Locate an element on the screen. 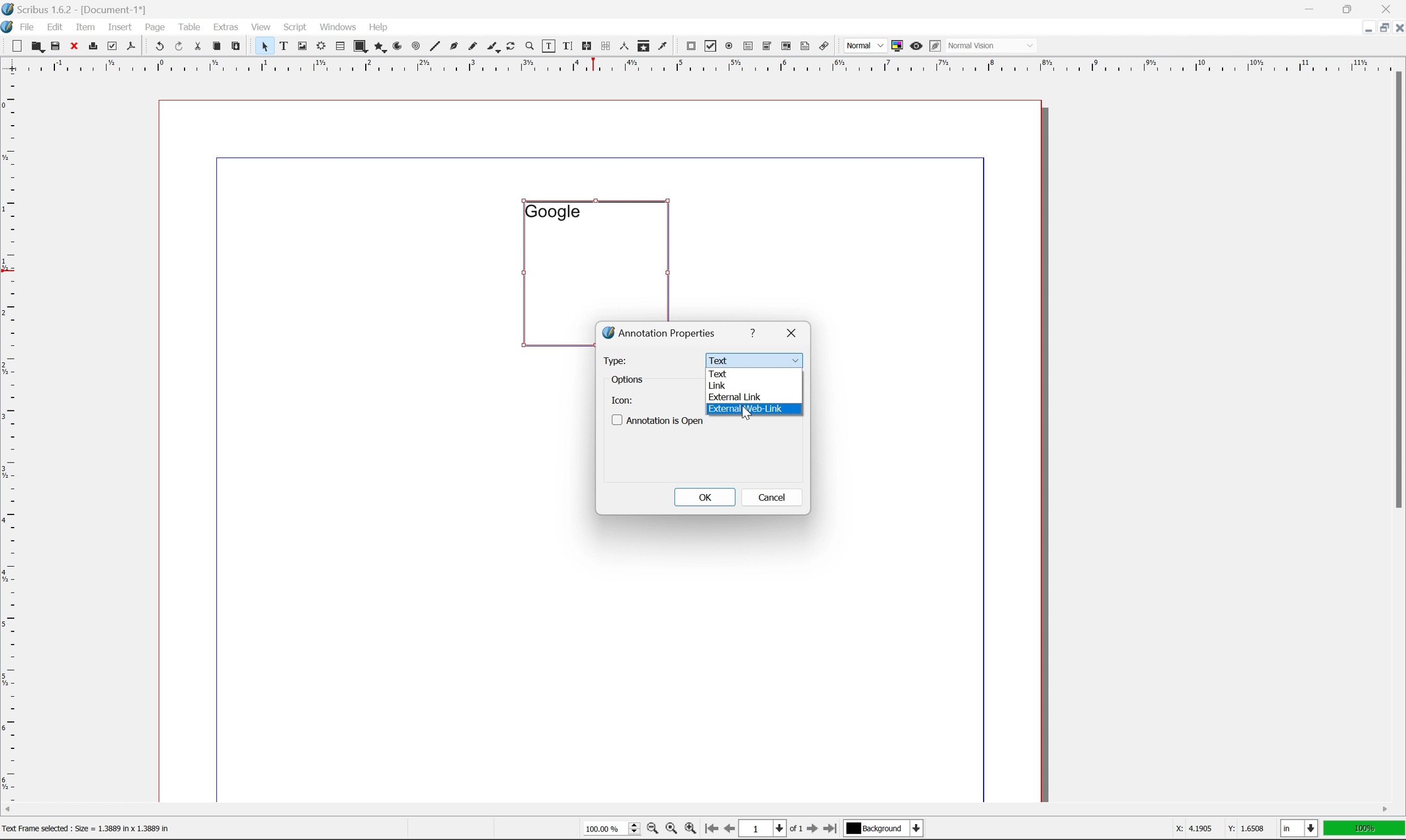 The width and height of the screenshot is (1406, 840). zoom out is located at coordinates (649, 830).